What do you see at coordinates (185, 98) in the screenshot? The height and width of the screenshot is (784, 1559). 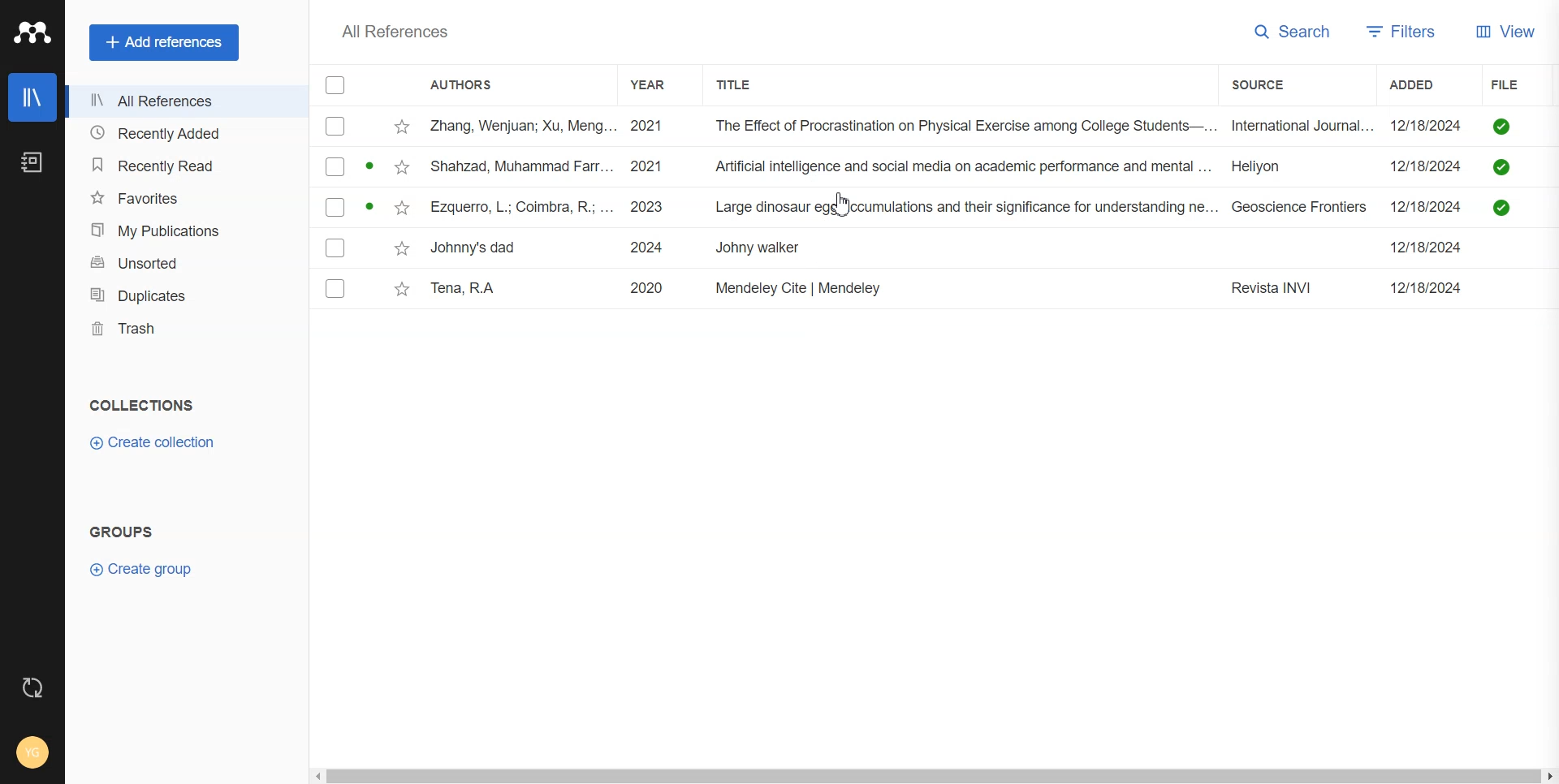 I see `All References` at bounding box center [185, 98].